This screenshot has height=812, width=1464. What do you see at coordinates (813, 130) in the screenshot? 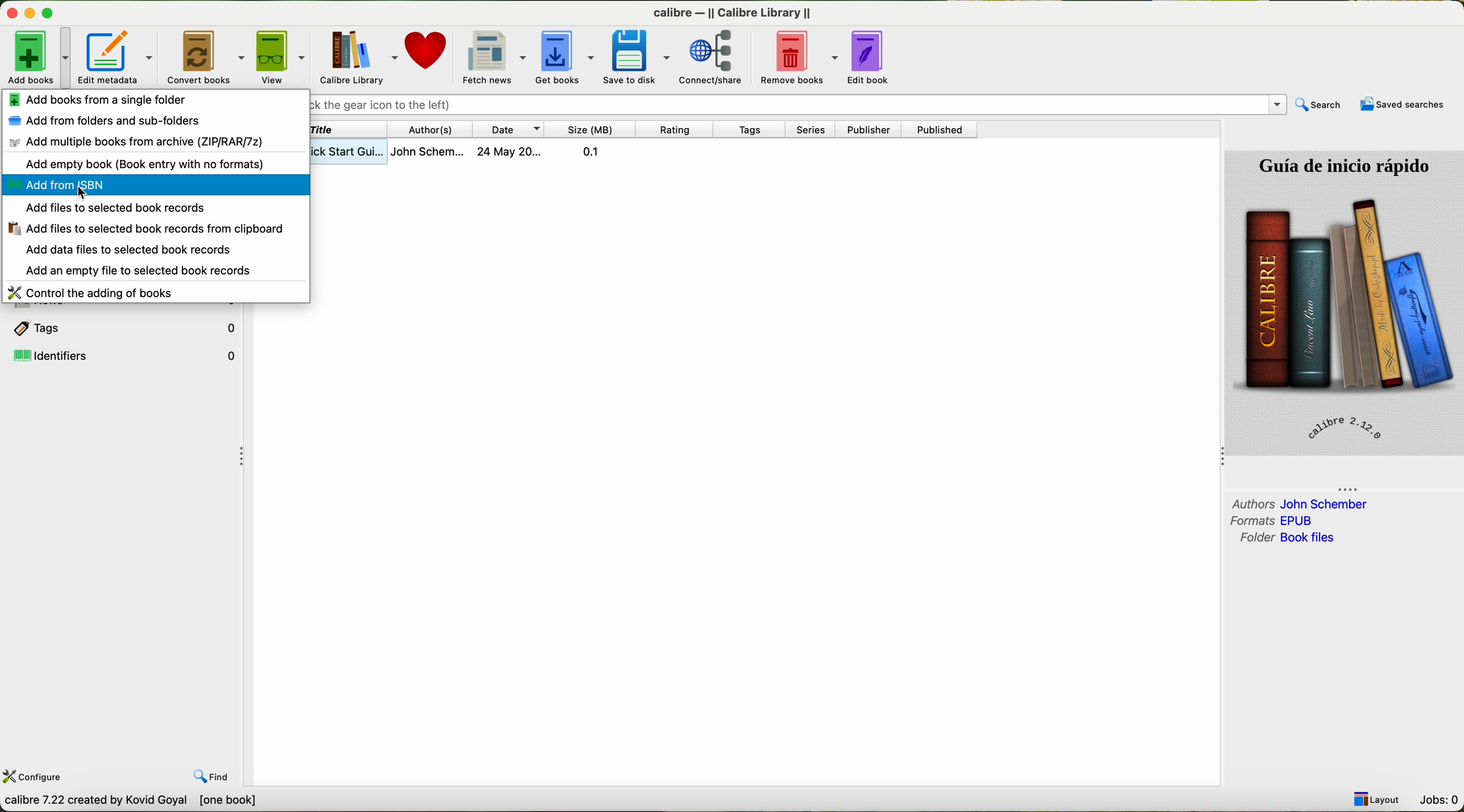
I see `series` at bounding box center [813, 130].